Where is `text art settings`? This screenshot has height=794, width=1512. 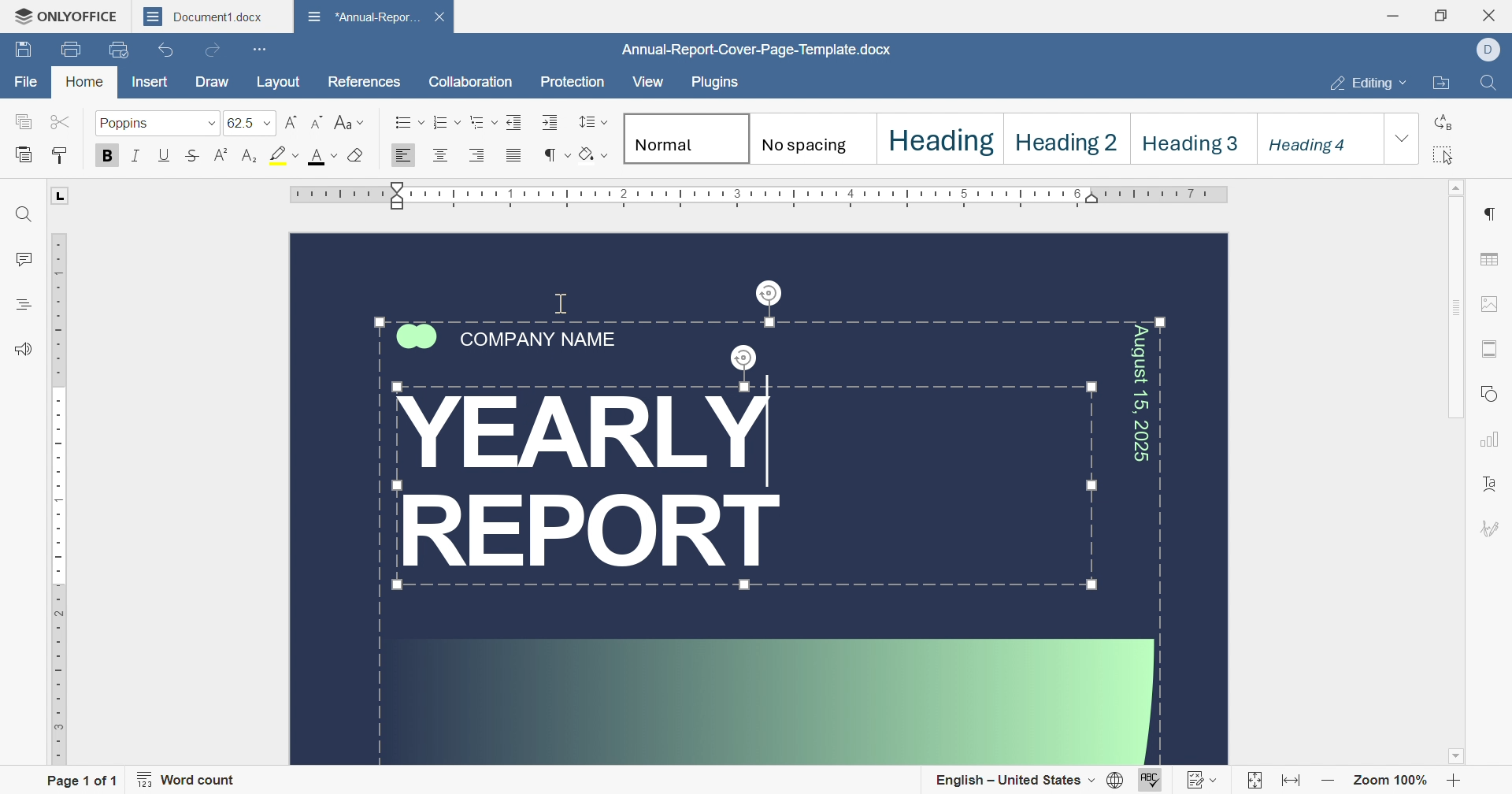
text art settings is located at coordinates (1492, 486).